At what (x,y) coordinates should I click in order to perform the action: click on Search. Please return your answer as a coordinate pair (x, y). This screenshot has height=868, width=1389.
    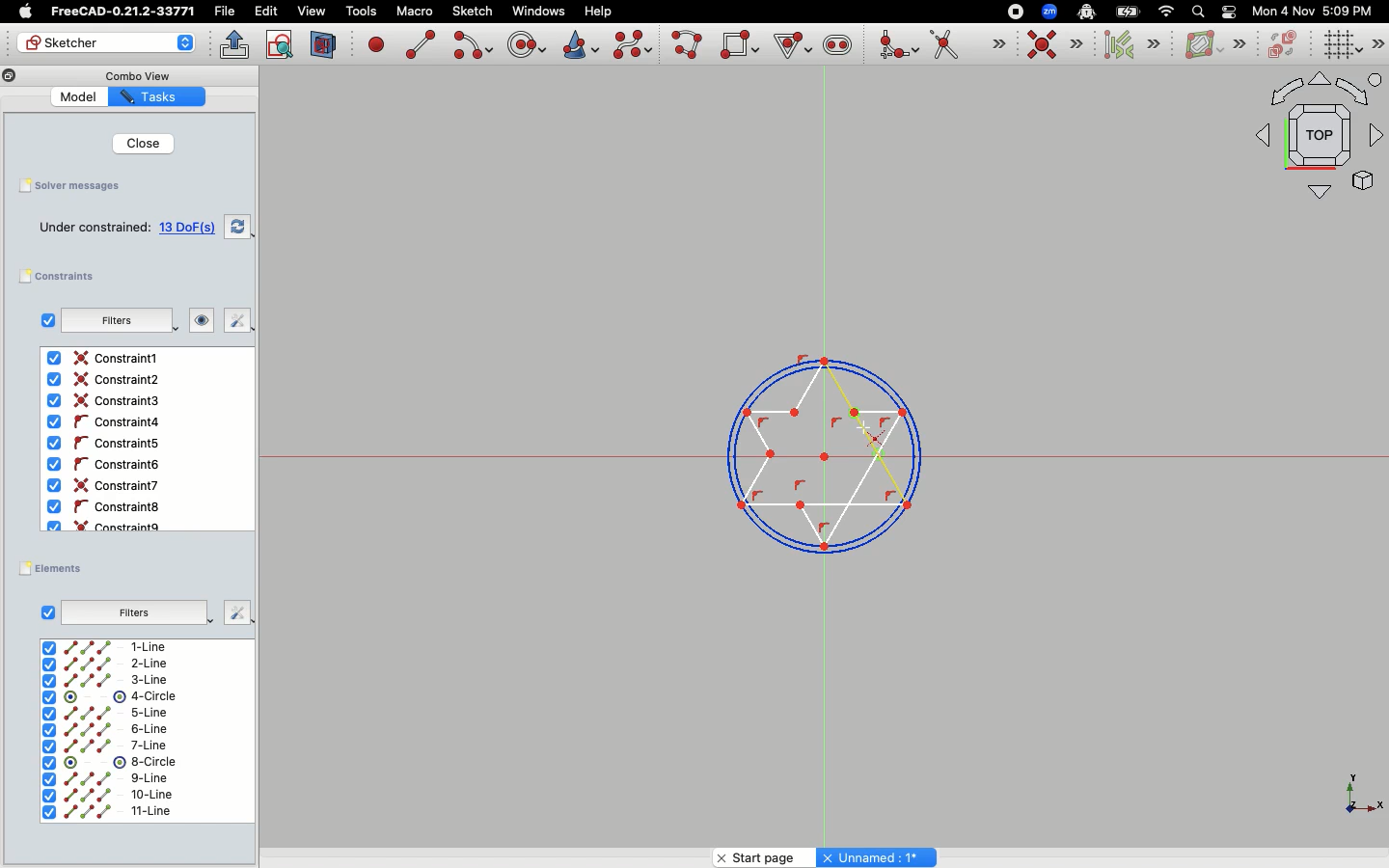
    Looking at the image, I should click on (1197, 11).